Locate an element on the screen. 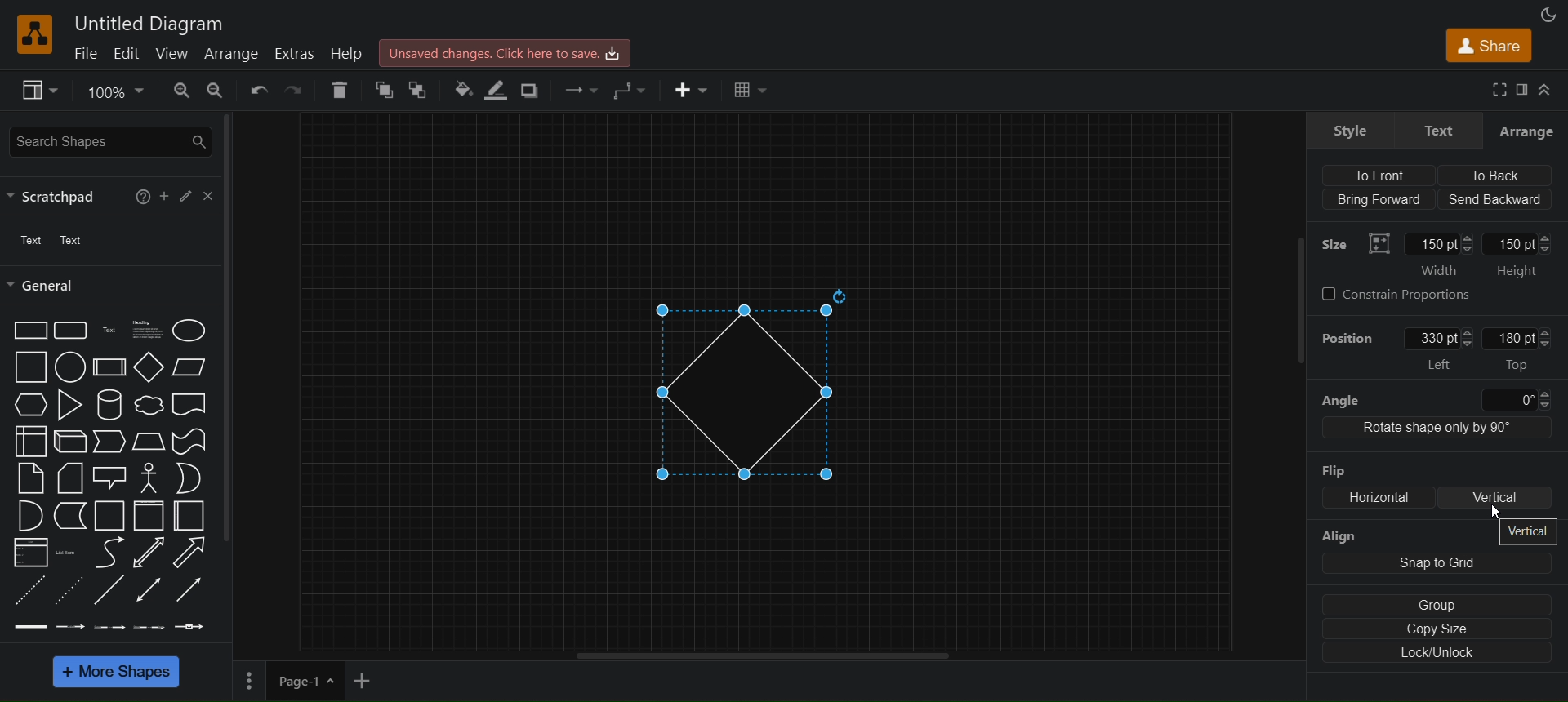 The image size is (1568, 702). constrain properties is located at coordinates (1434, 298).